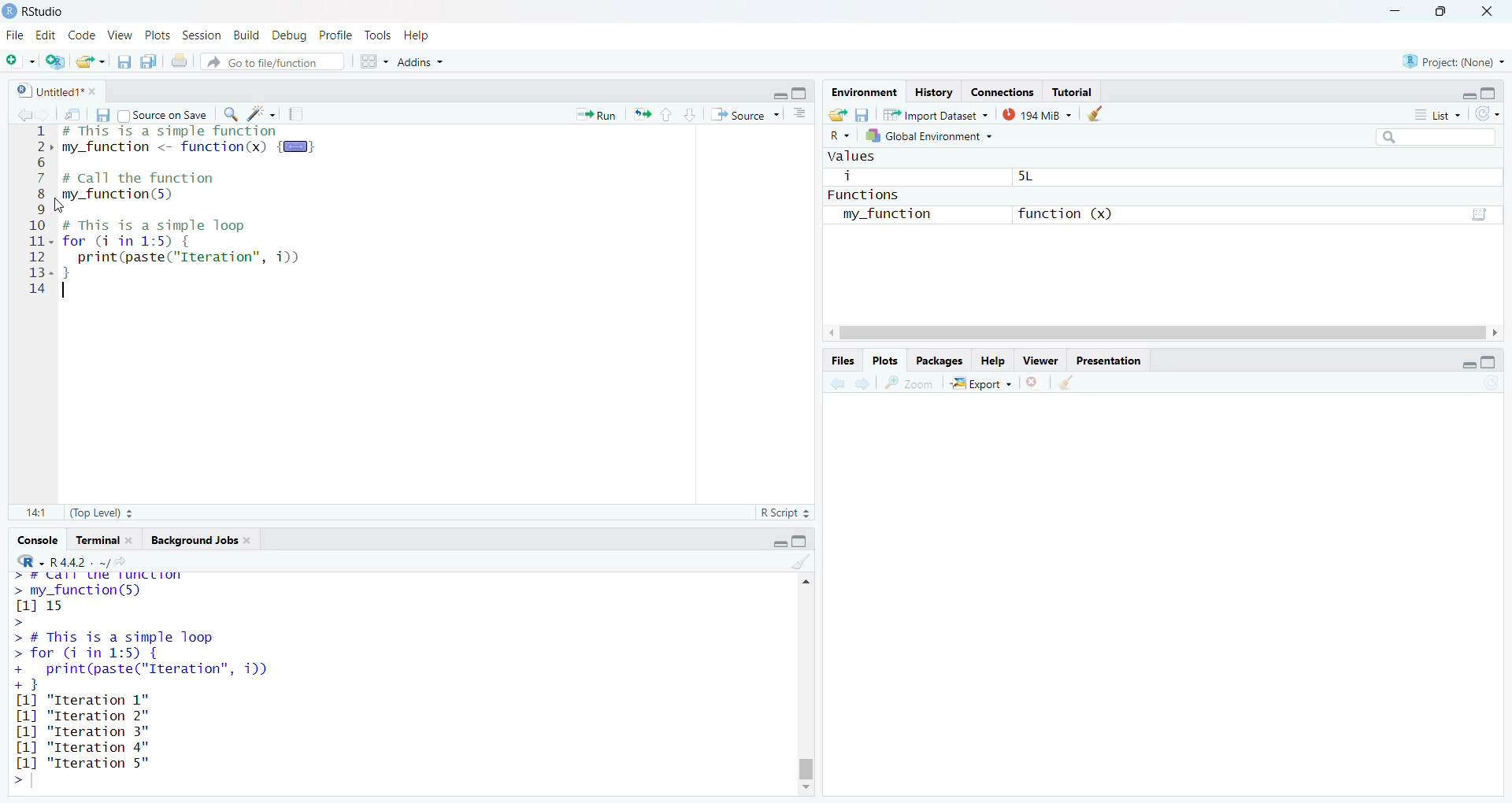 The height and width of the screenshot is (803, 1512). What do you see at coordinates (38, 237) in the screenshot?
I see `serial numbers` at bounding box center [38, 237].